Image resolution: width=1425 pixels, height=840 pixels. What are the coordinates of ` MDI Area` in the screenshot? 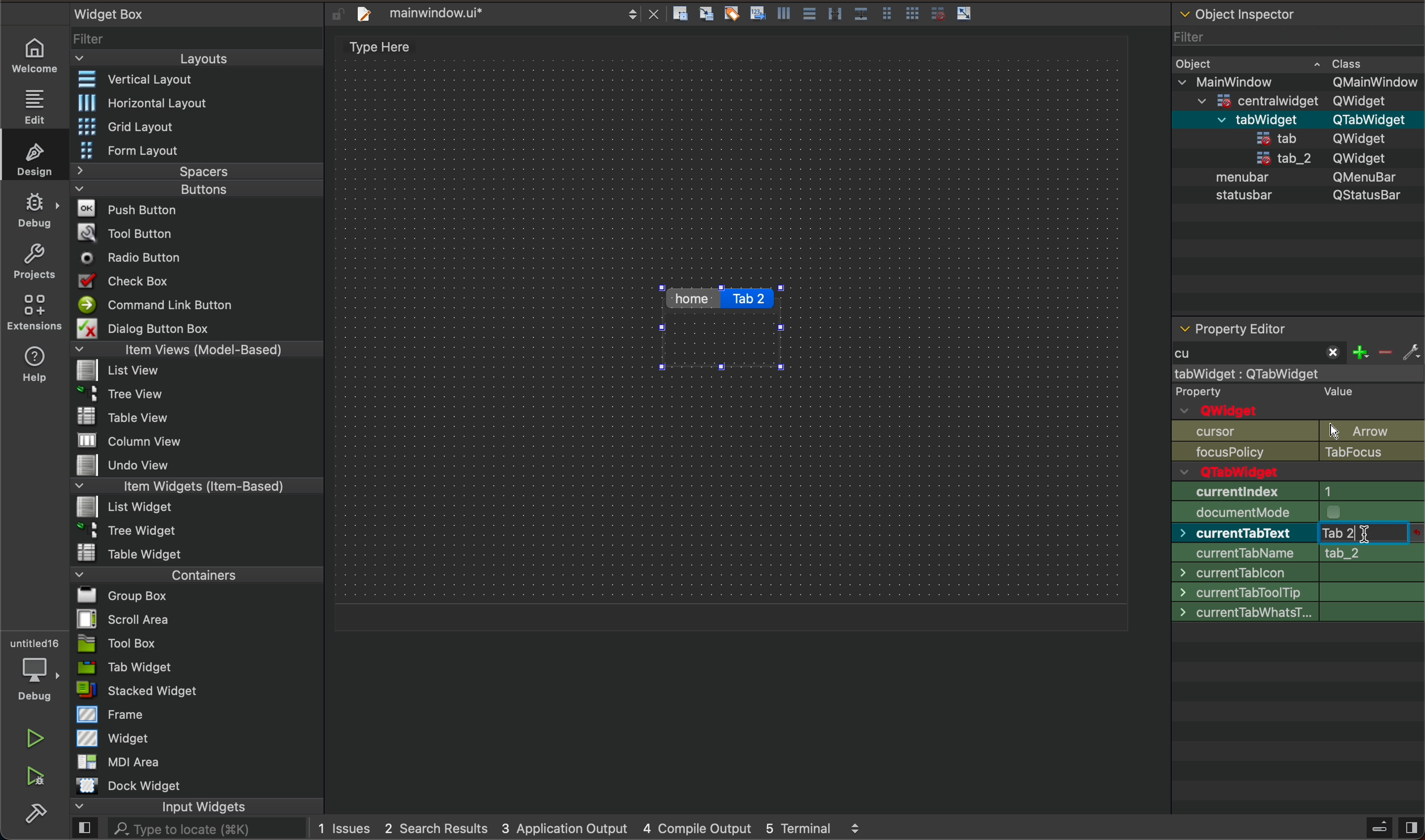 It's located at (128, 761).